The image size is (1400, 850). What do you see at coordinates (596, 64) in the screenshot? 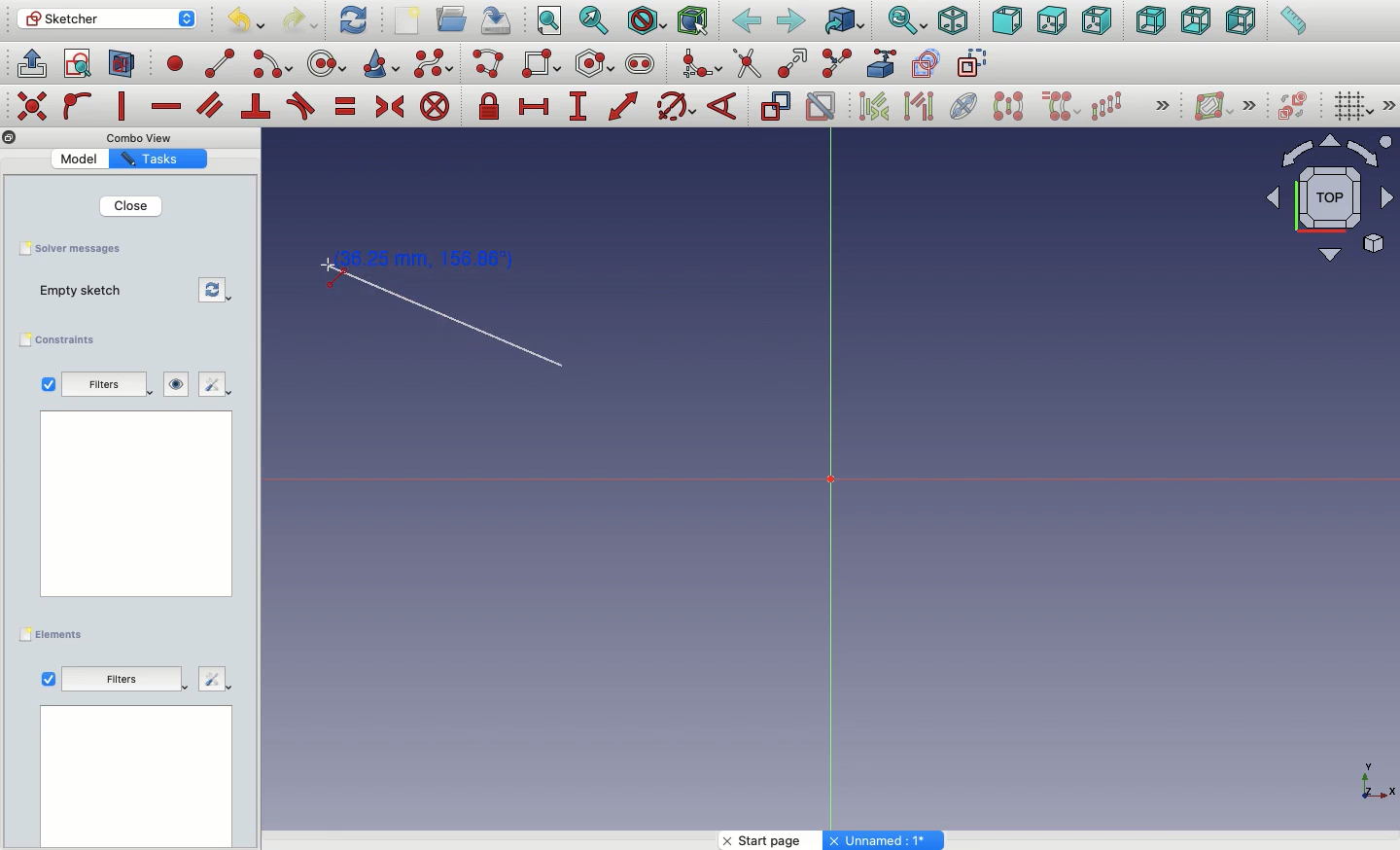
I see `Polygon` at bounding box center [596, 64].